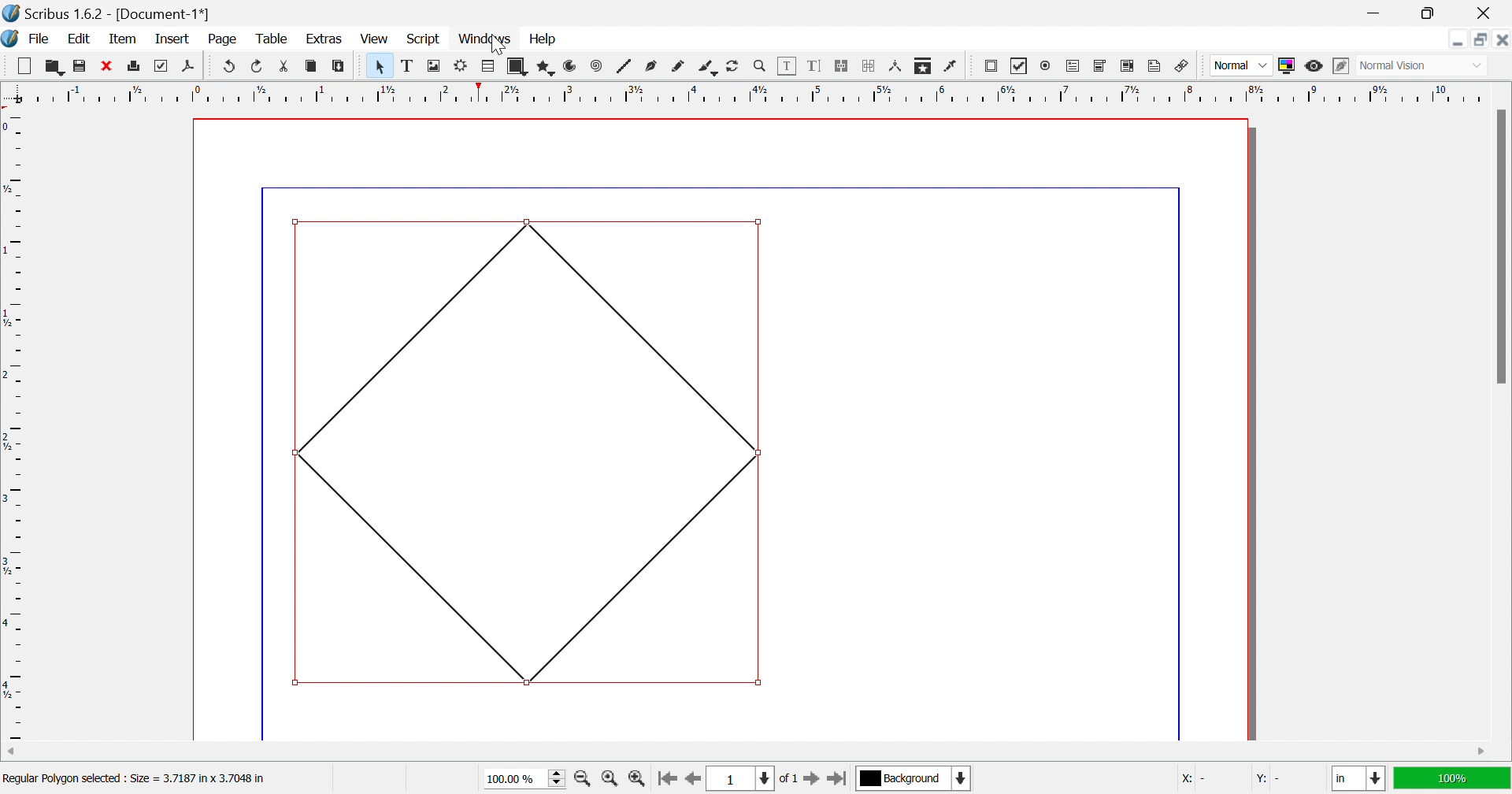 The height and width of the screenshot is (794, 1512). What do you see at coordinates (409, 65) in the screenshot?
I see `Text frame` at bounding box center [409, 65].